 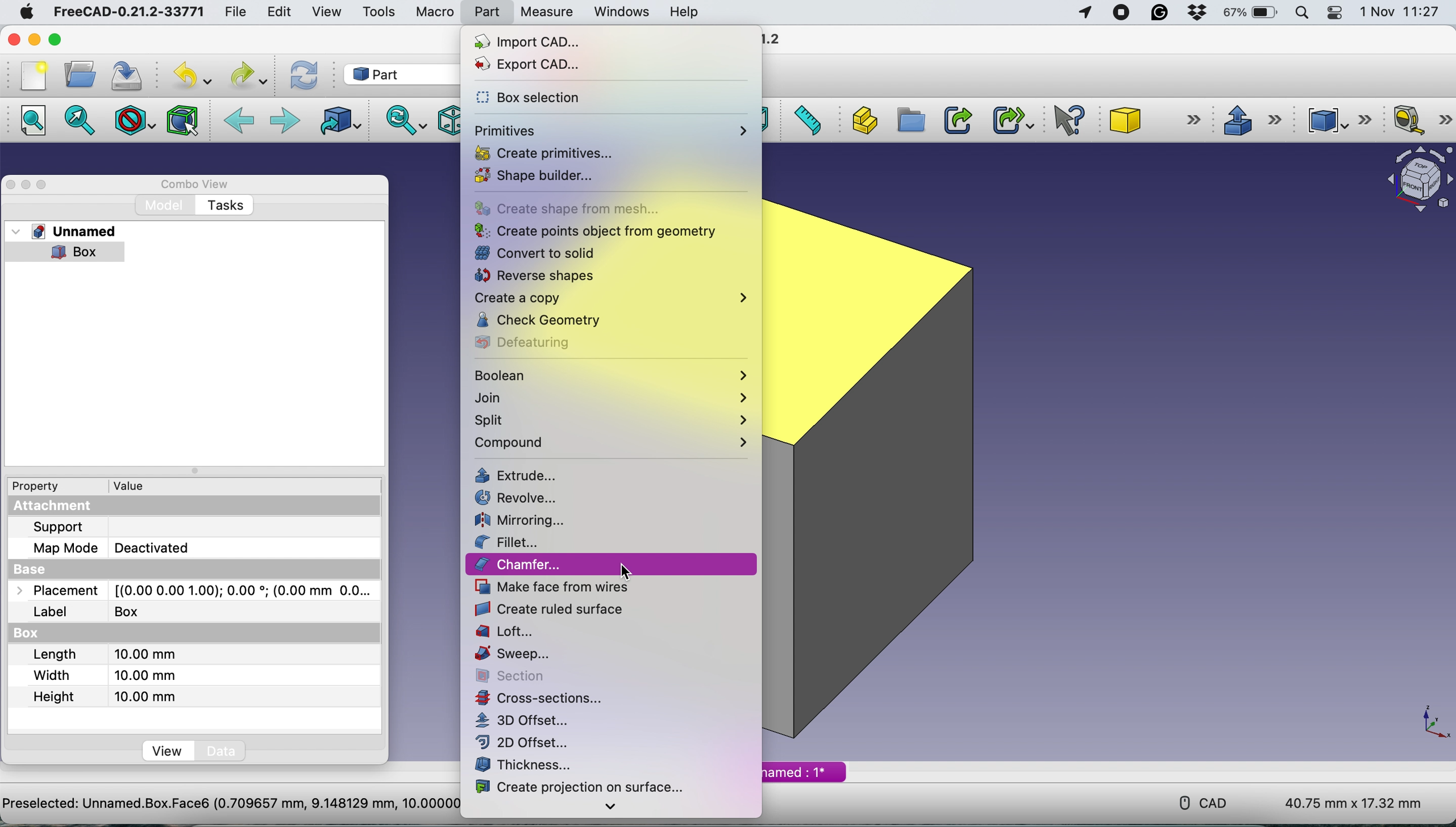 What do you see at coordinates (541, 699) in the screenshot?
I see `cross section` at bounding box center [541, 699].